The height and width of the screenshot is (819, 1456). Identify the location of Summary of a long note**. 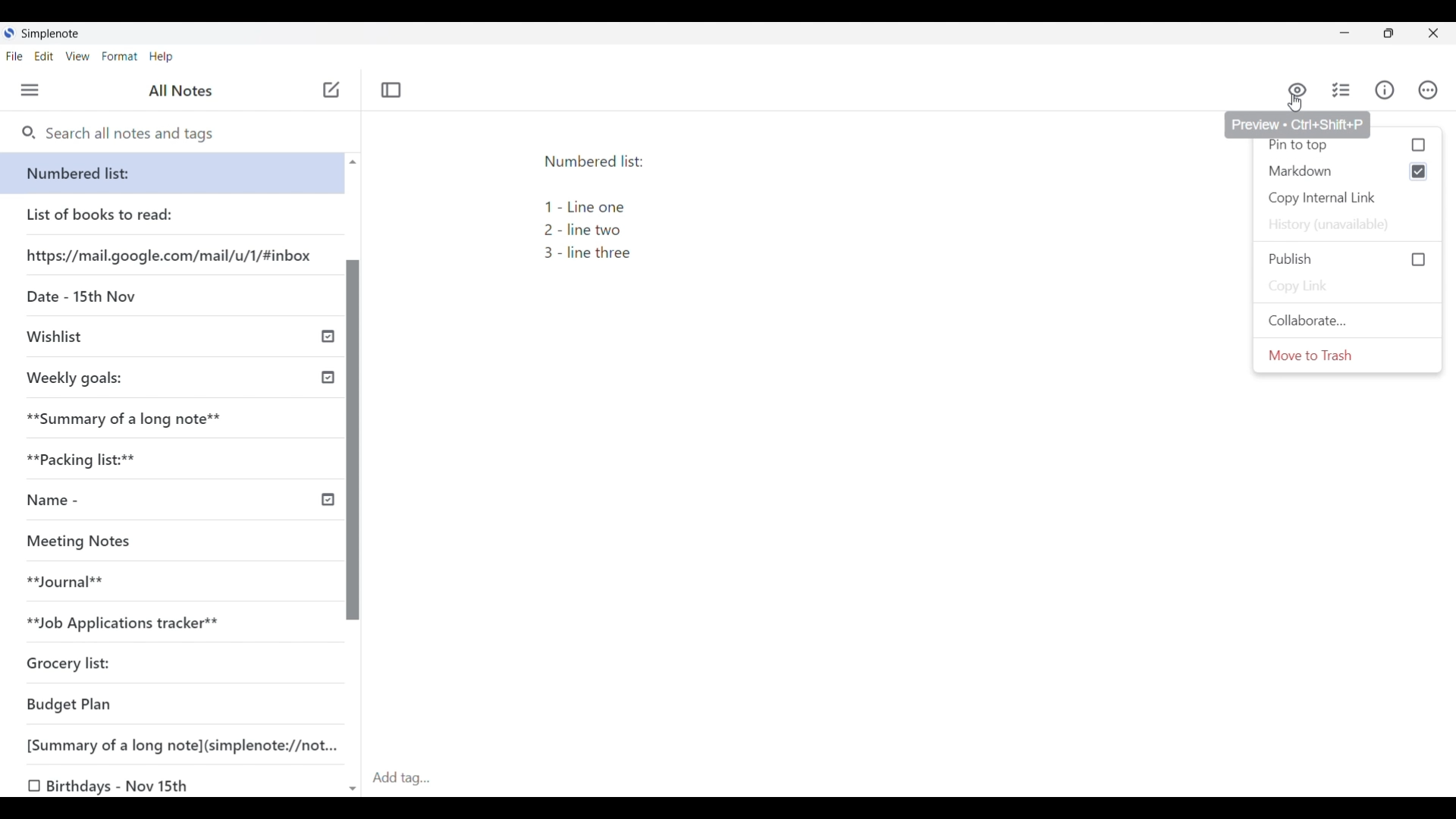
(124, 419).